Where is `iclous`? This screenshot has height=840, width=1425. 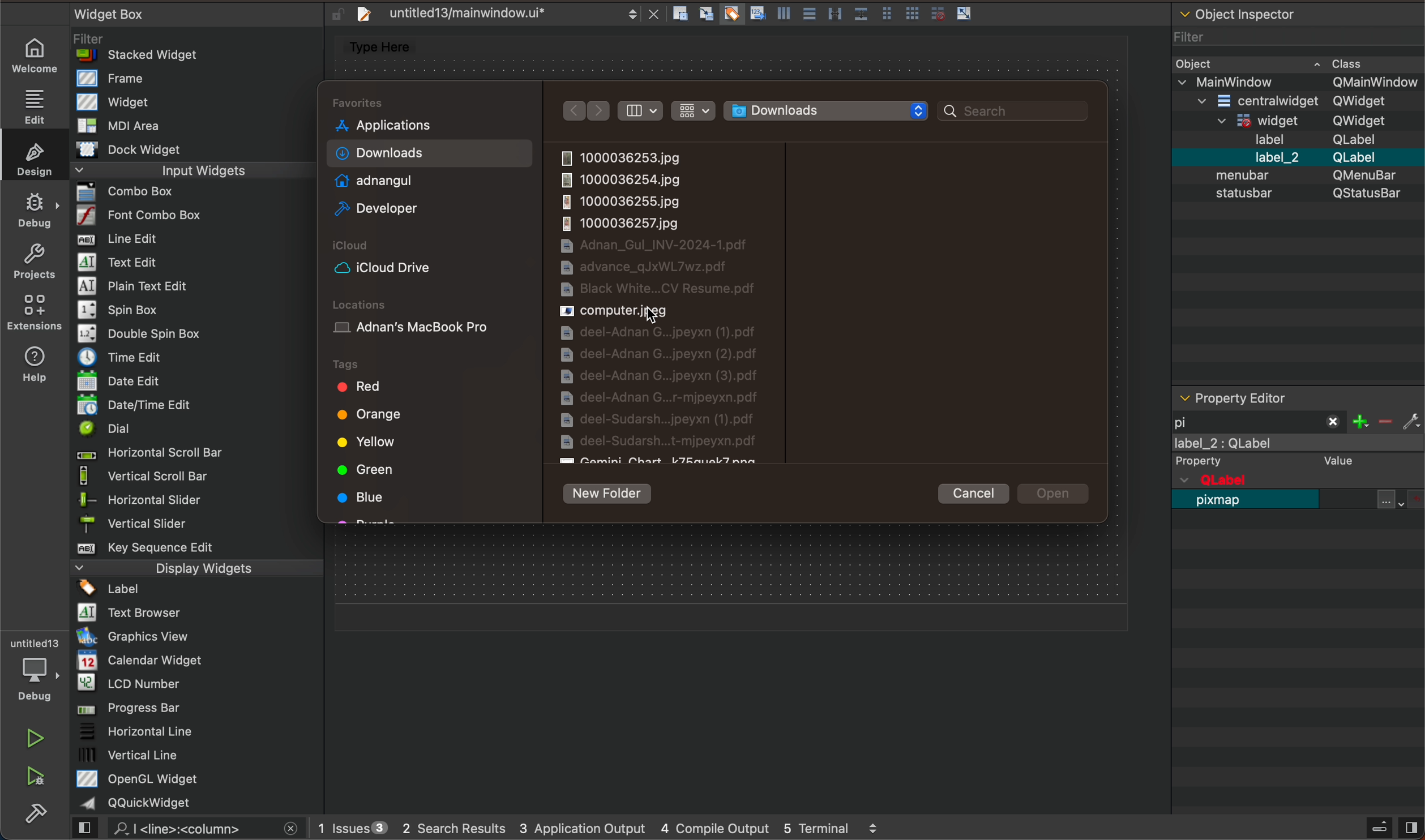
iclous is located at coordinates (358, 247).